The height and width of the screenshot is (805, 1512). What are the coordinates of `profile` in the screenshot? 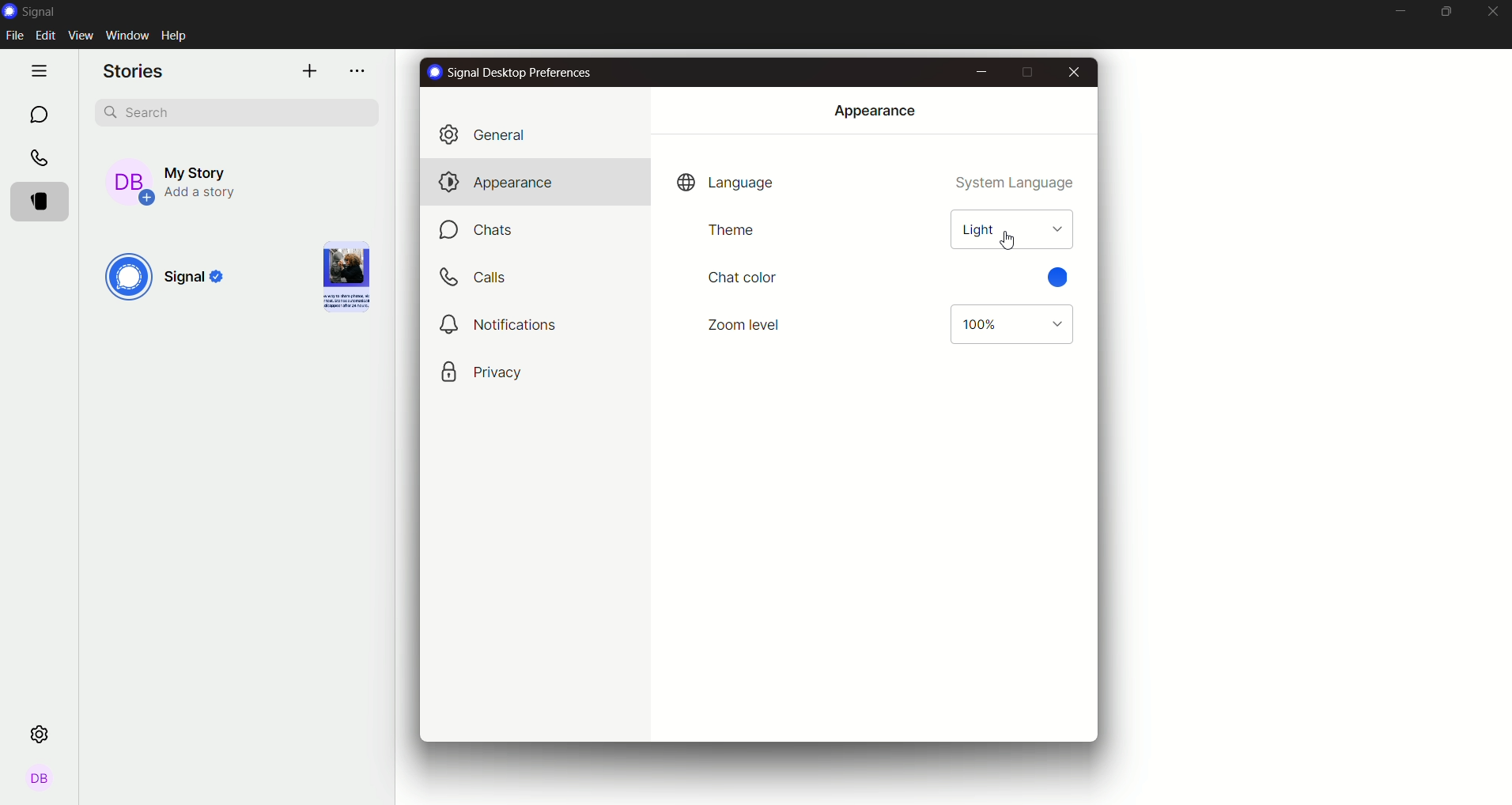 It's located at (40, 780).